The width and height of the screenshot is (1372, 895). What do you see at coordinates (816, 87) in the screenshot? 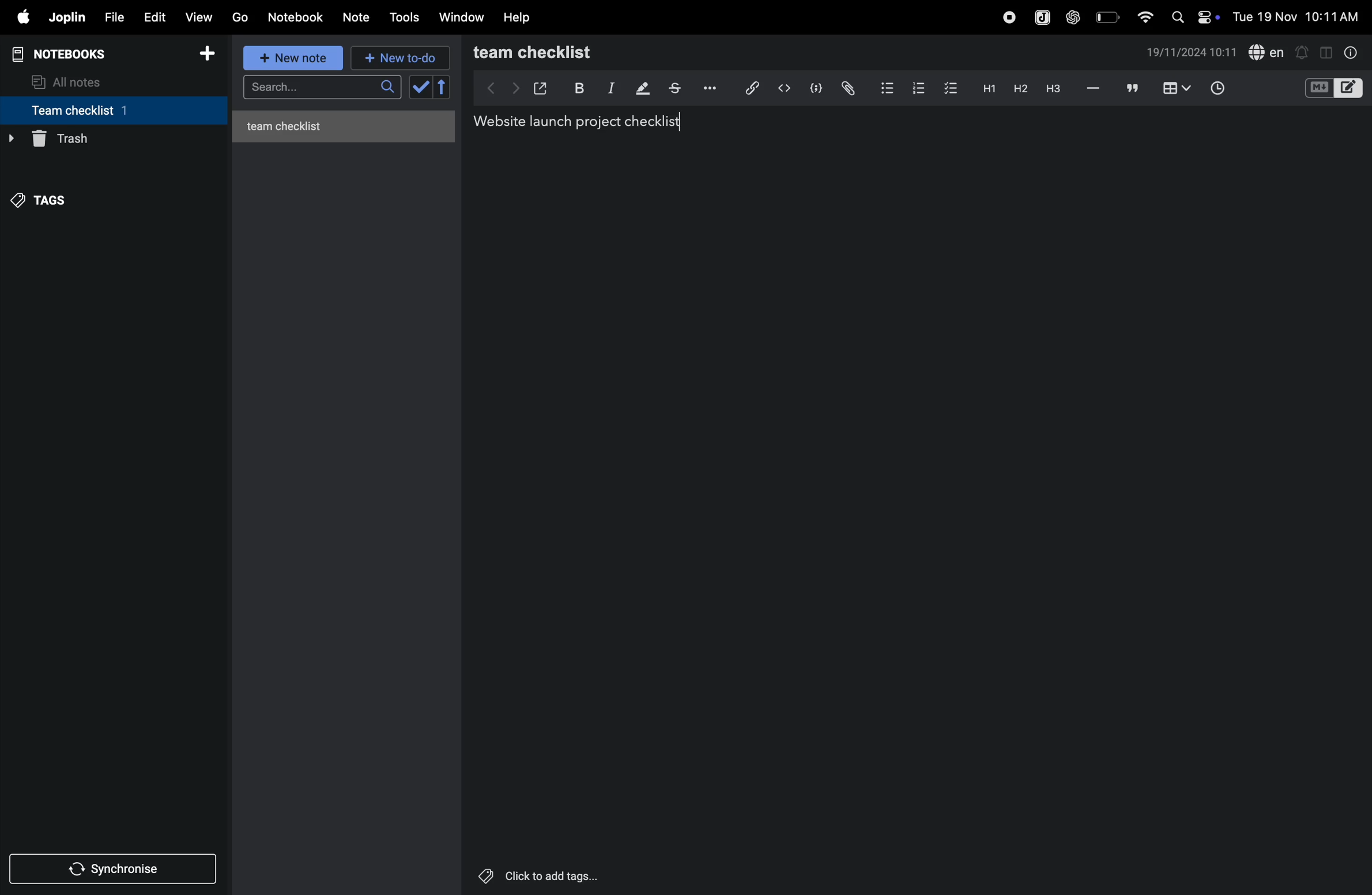
I see `code block` at bounding box center [816, 87].